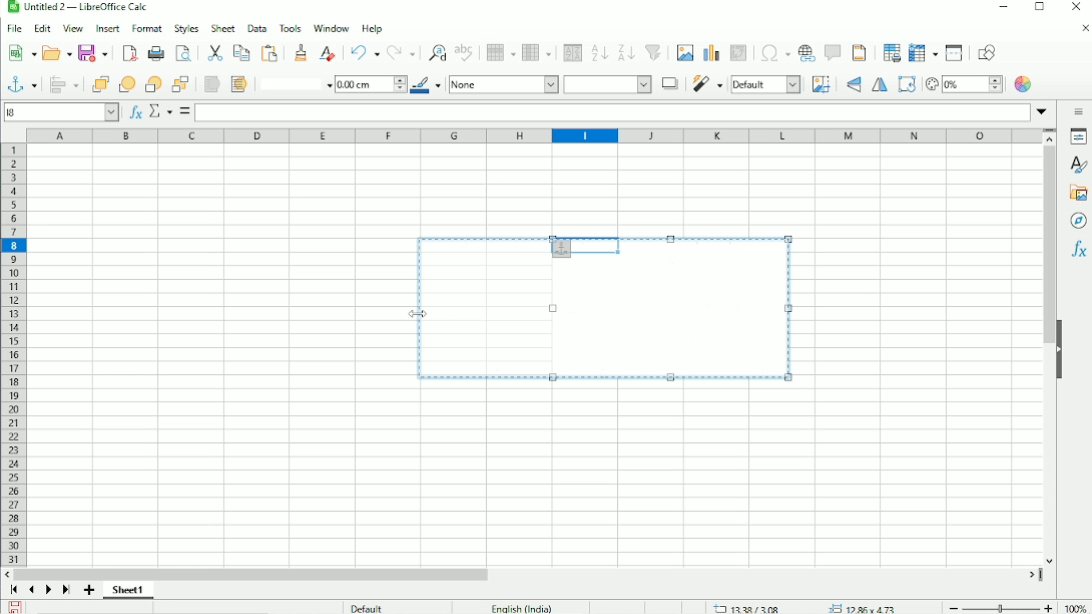 The width and height of the screenshot is (1092, 614). What do you see at coordinates (99, 84) in the screenshot?
I see `Bring to front` at bounding box center [99, 84].